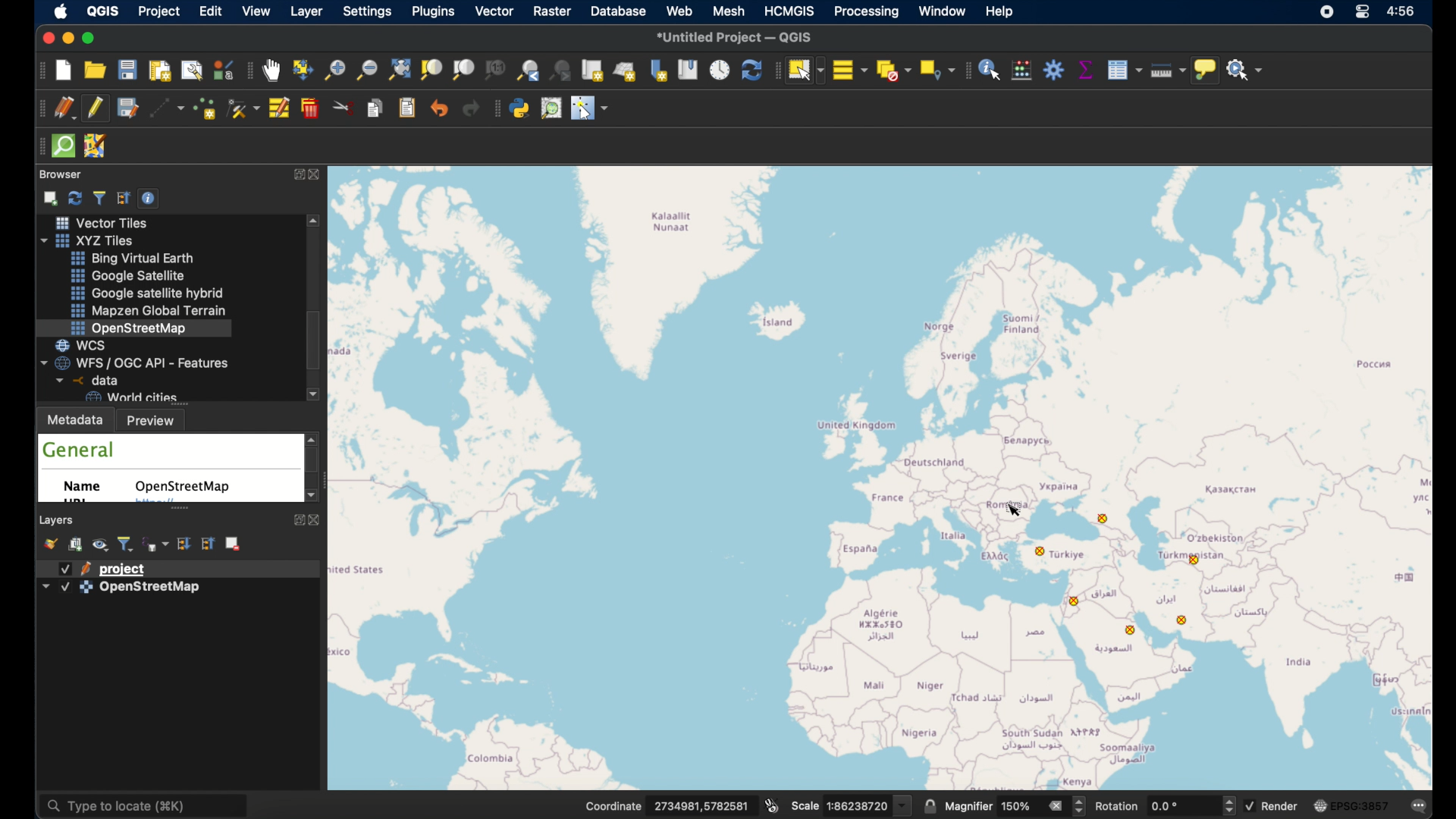 This screenshot has height=819, width=1456. What do you see at coordinates (1103, 519) in the screenshot?
I see `point feature` at bounding box center [1103, 519].